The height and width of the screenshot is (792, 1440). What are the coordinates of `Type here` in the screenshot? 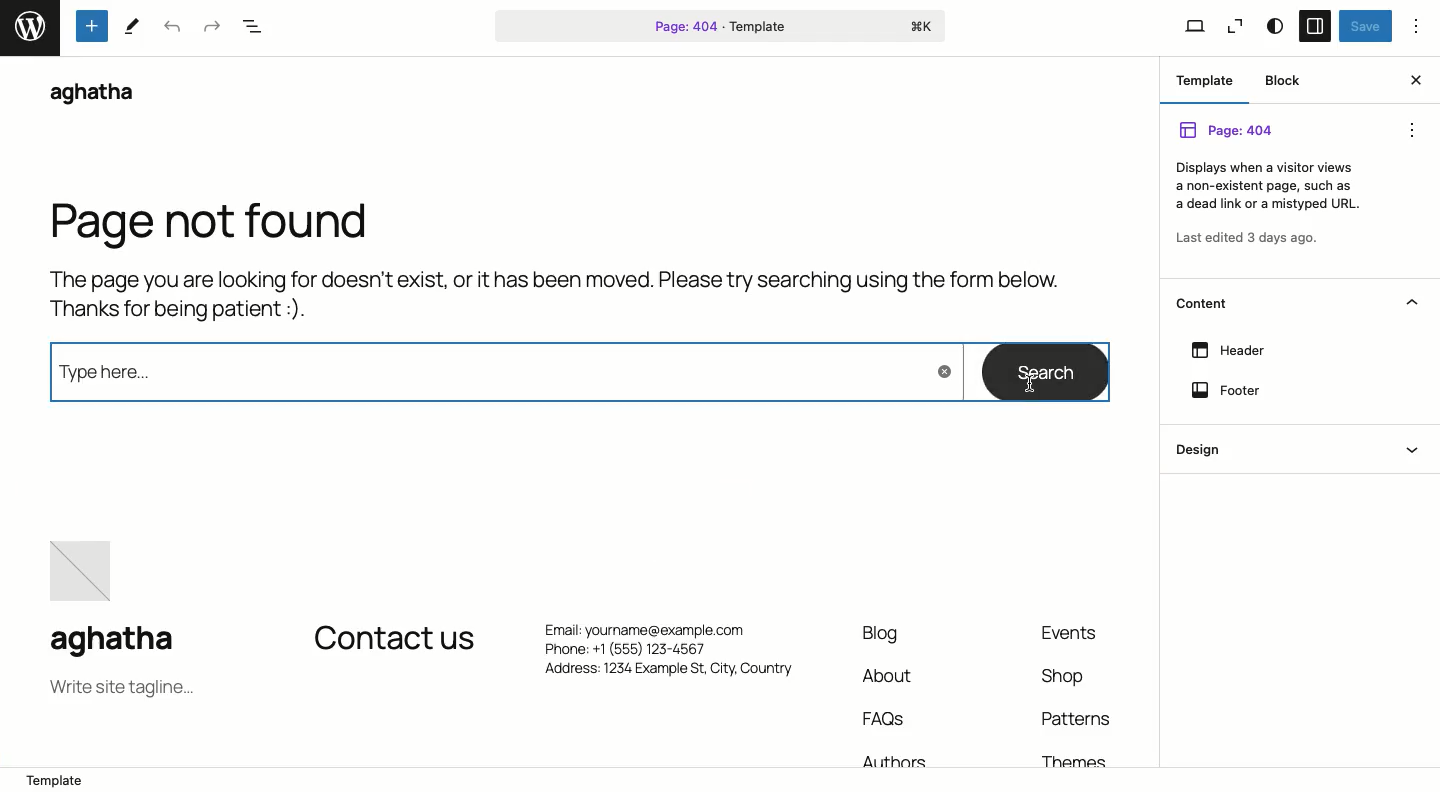 It's located at (506, 370).